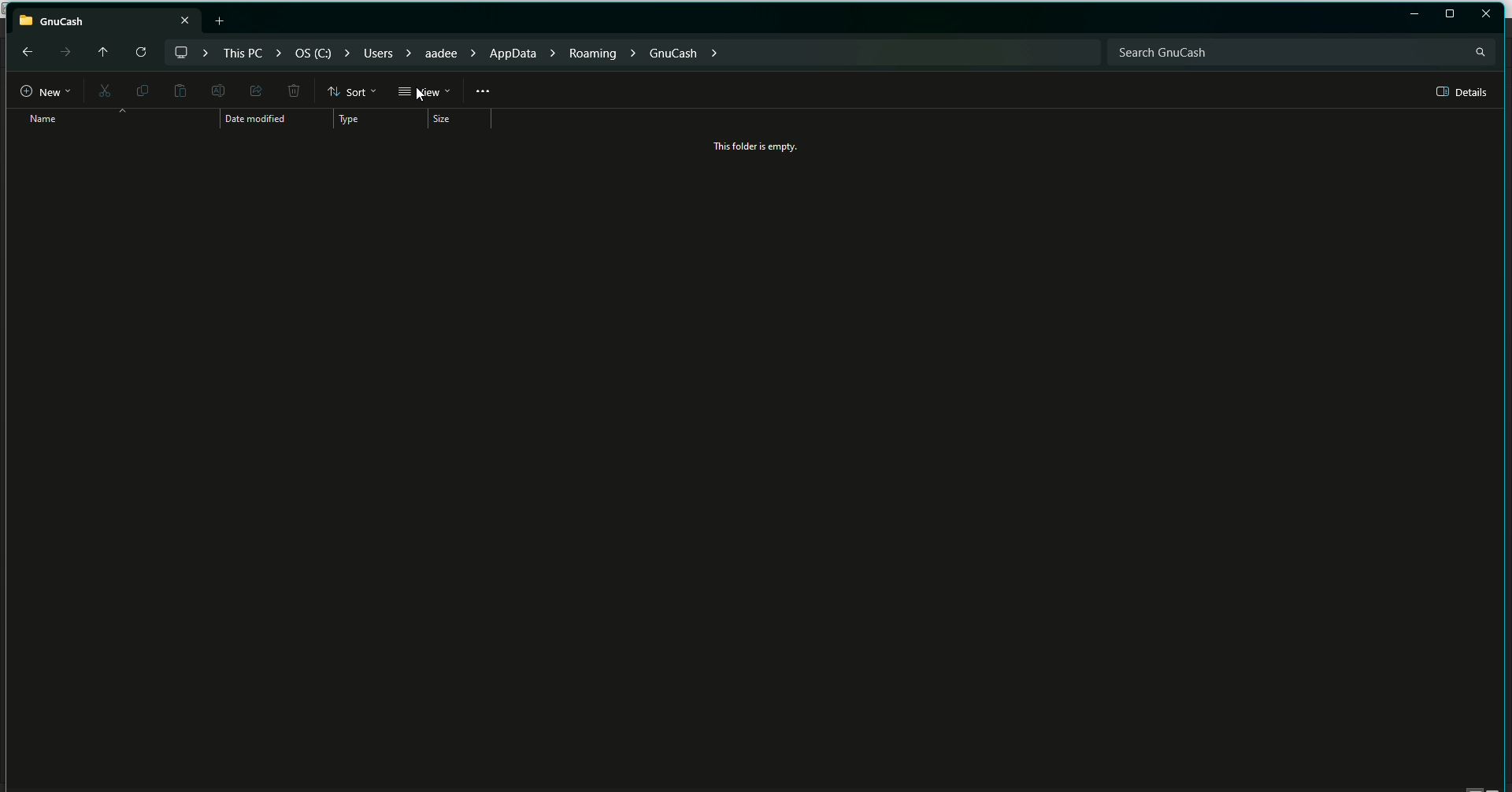  I want to click on Size, so click(445, 120).